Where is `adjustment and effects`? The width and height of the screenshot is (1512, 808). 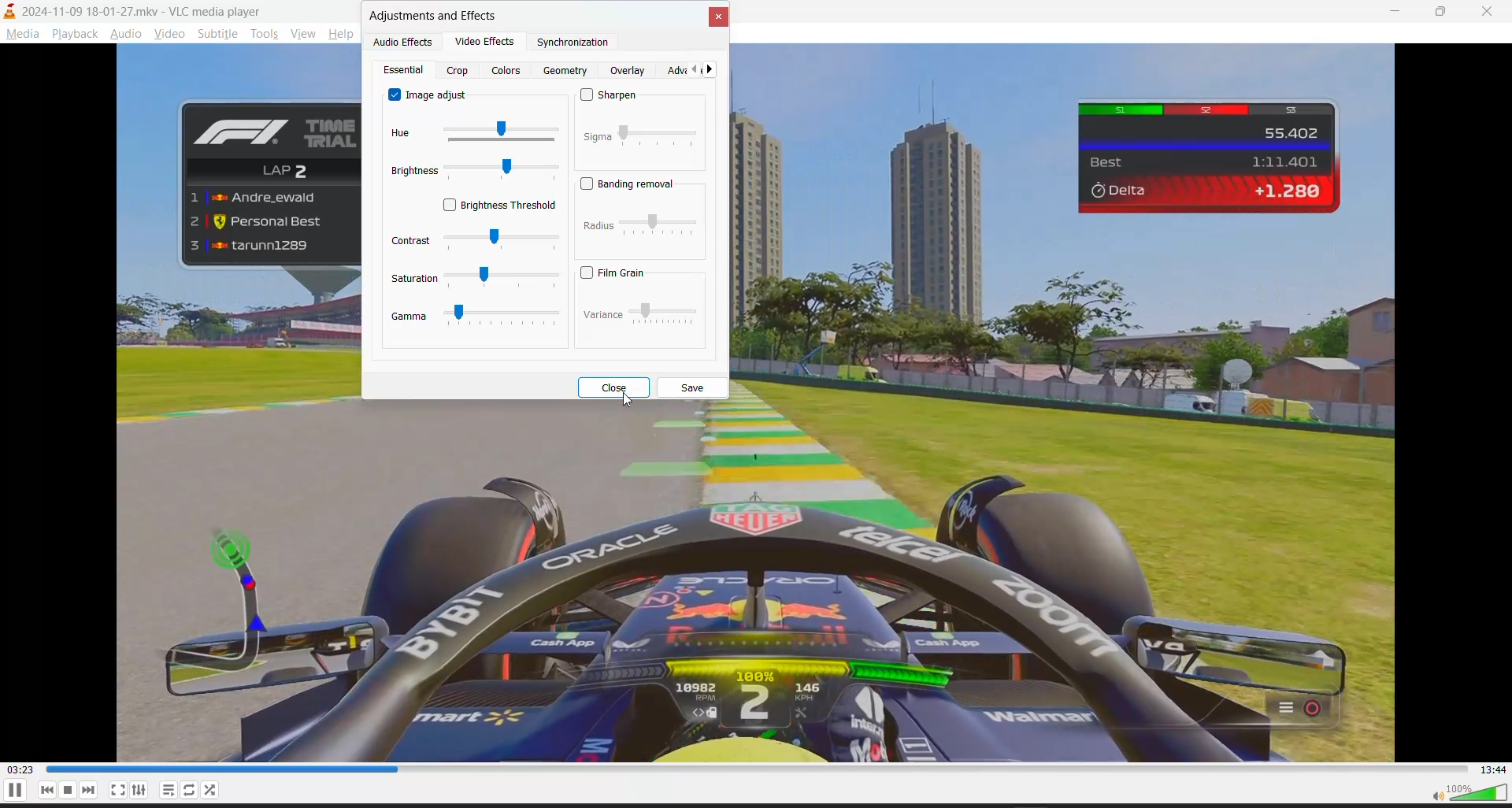
adjustment and effects is located at coordinates (435, 17).